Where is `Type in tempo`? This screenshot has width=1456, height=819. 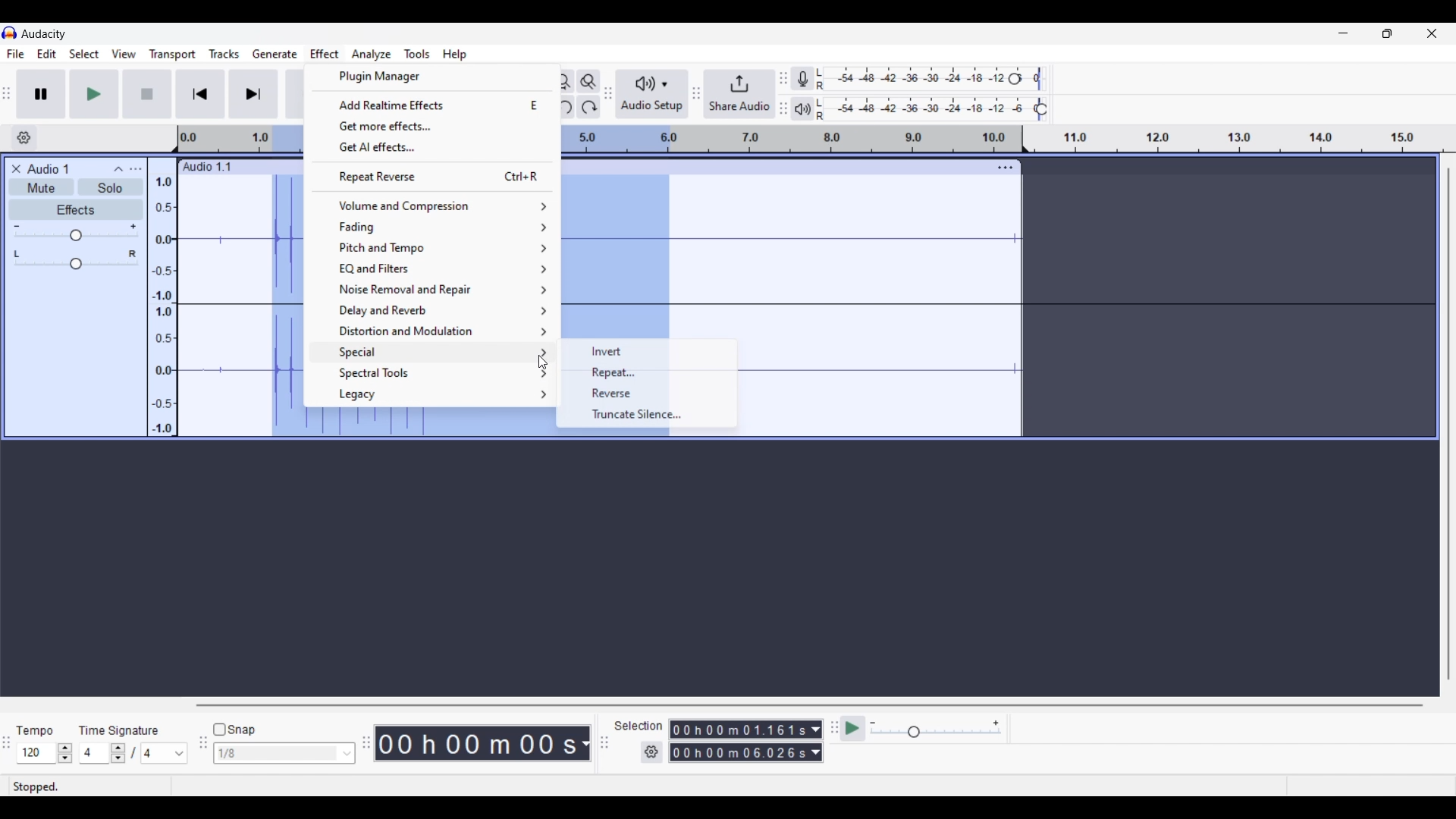 Type in tempo is located at coordinates (37, 753).